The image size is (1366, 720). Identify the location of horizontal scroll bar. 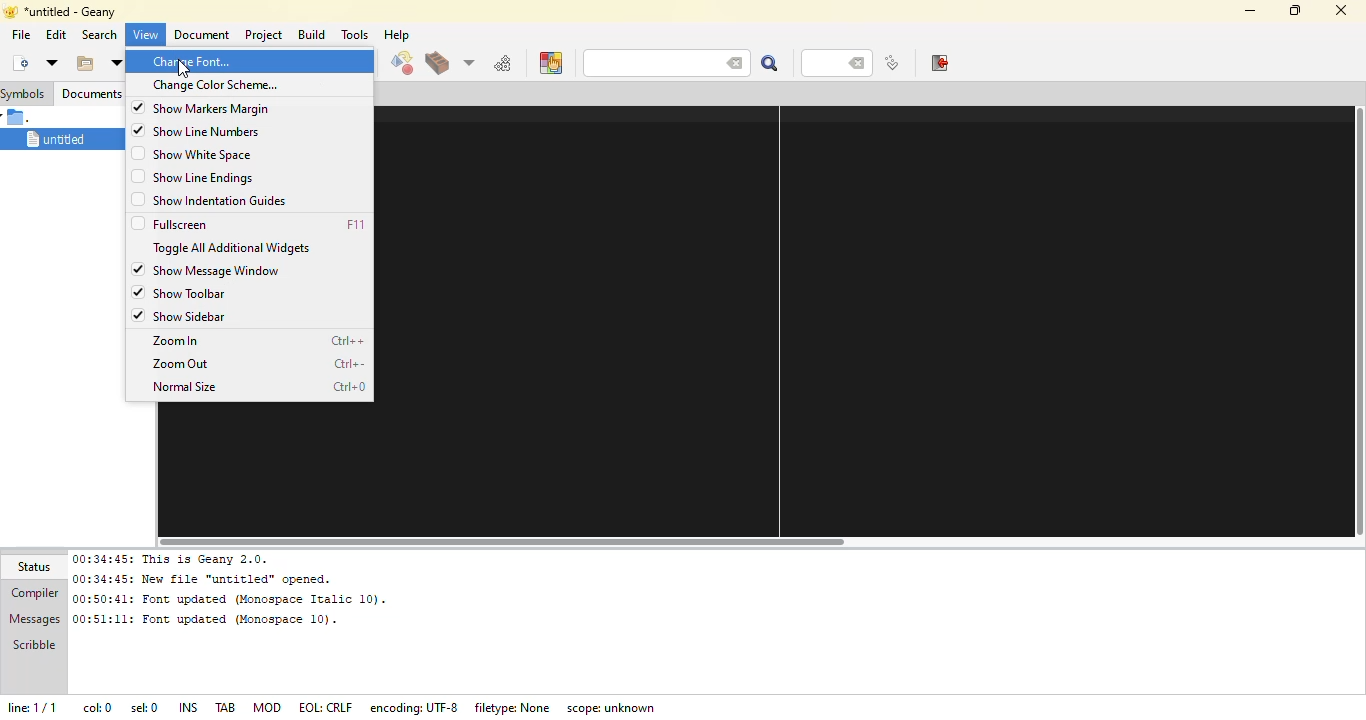
(518, 539).